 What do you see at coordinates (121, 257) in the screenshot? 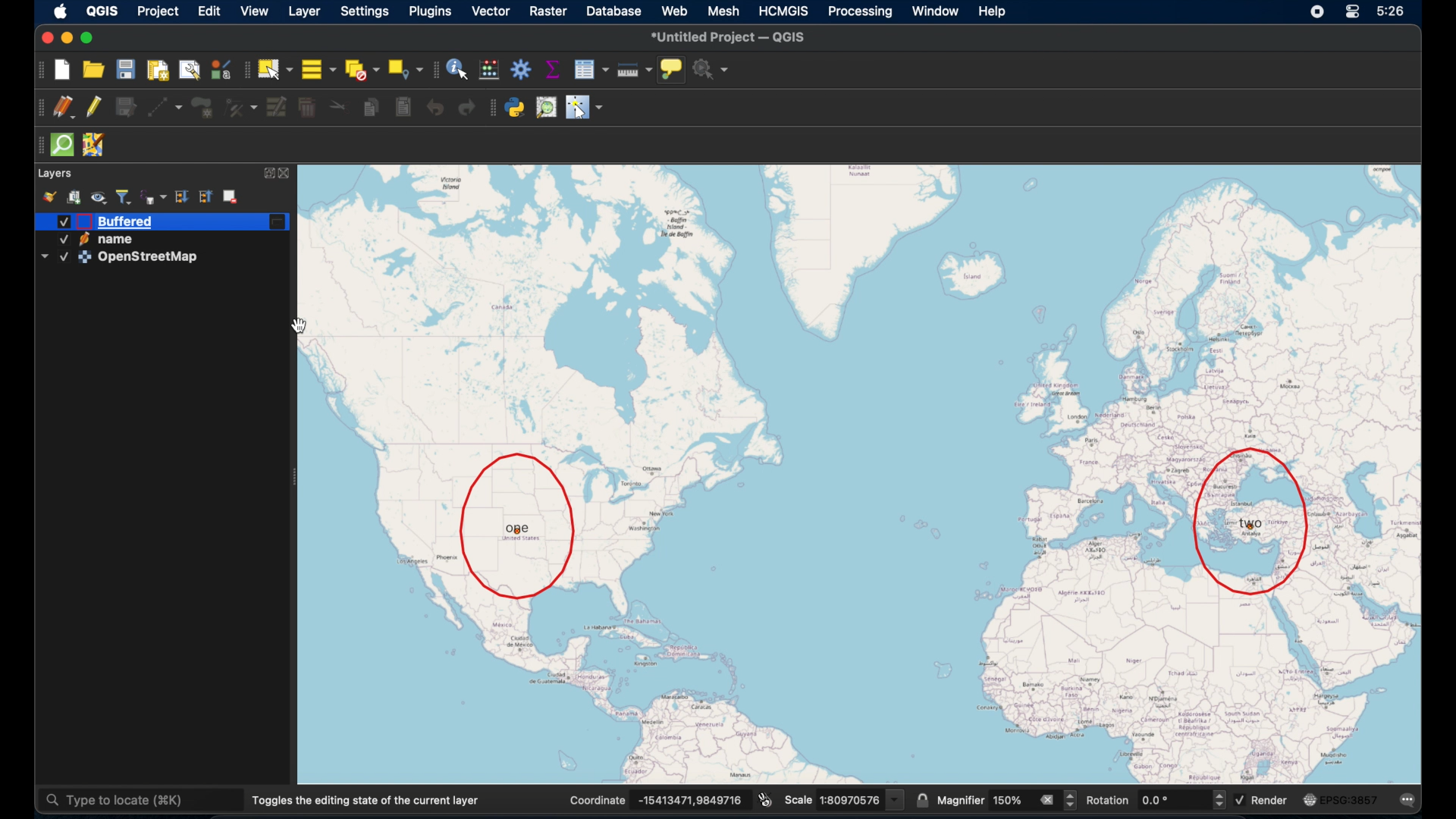
I see `active OpenStreetMap layer` at bounding box center [121, 257].